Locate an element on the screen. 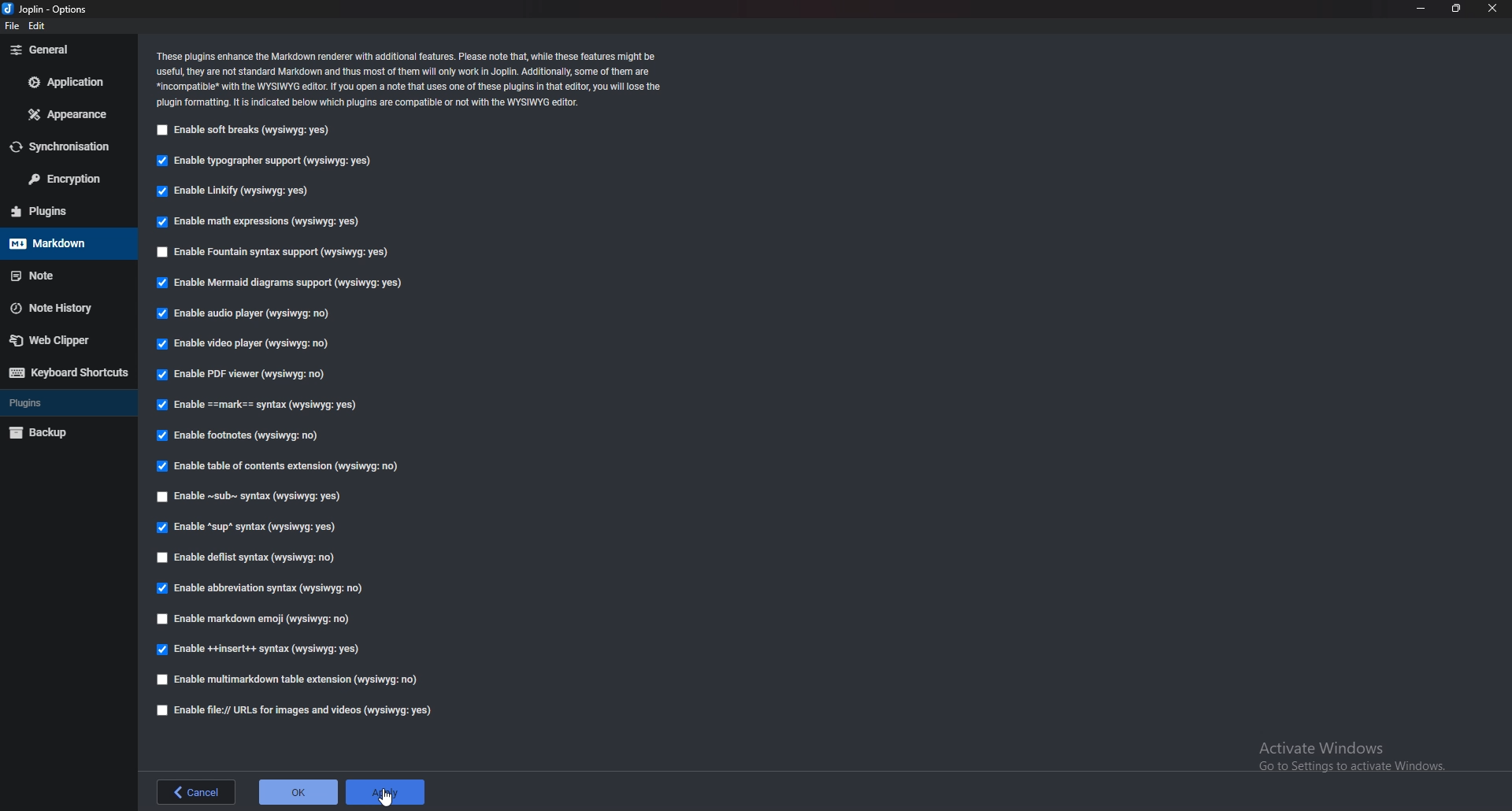  note is located at coordinates (68, 274).